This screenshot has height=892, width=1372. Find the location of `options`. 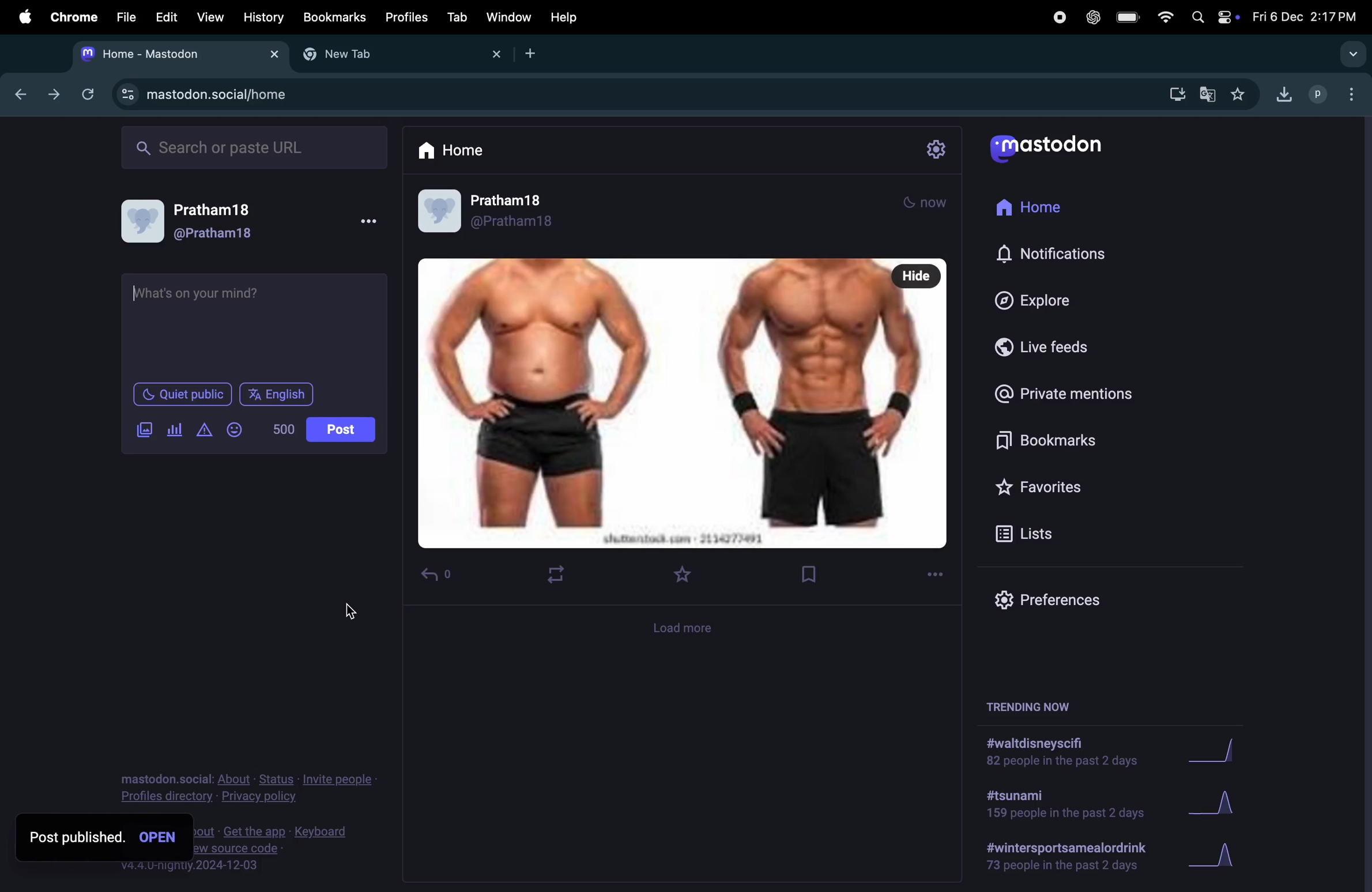

options is located at coordinates (1356, 97).